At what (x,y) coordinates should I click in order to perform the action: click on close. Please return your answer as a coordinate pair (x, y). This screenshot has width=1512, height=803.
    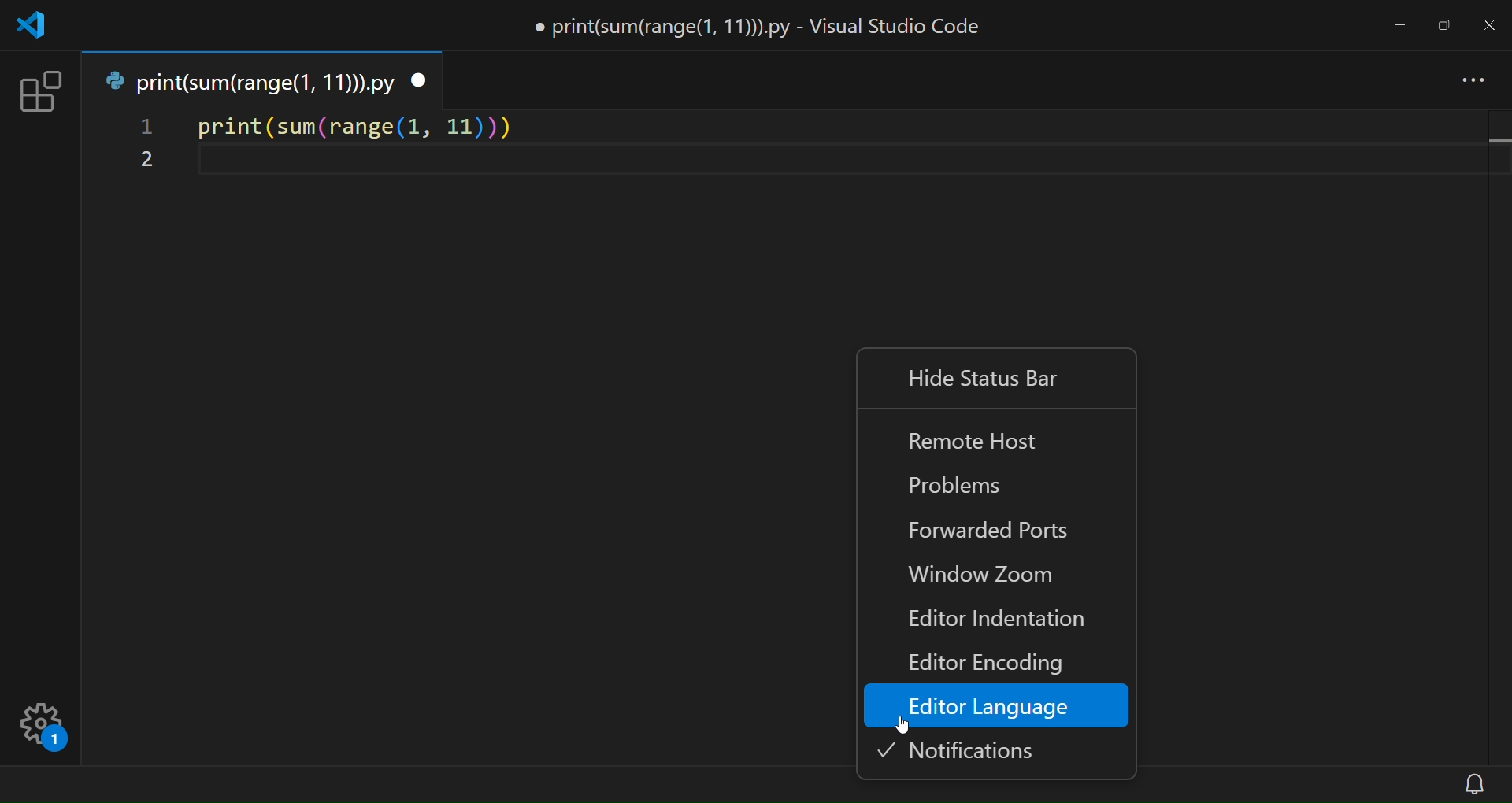
    Looking at the image, I should click on (1488, 22).